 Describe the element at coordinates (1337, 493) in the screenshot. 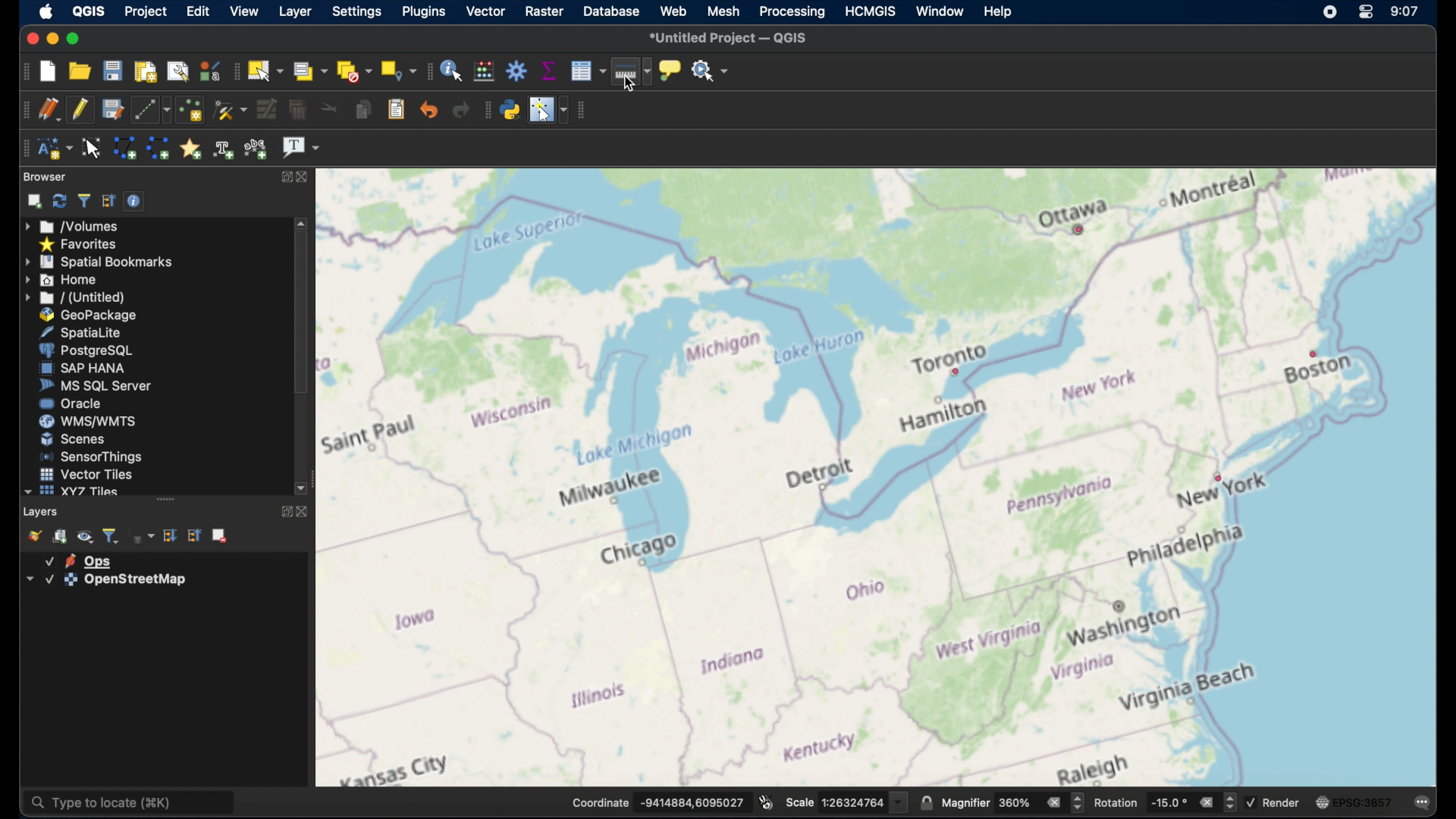

I see `open street map` at that location.